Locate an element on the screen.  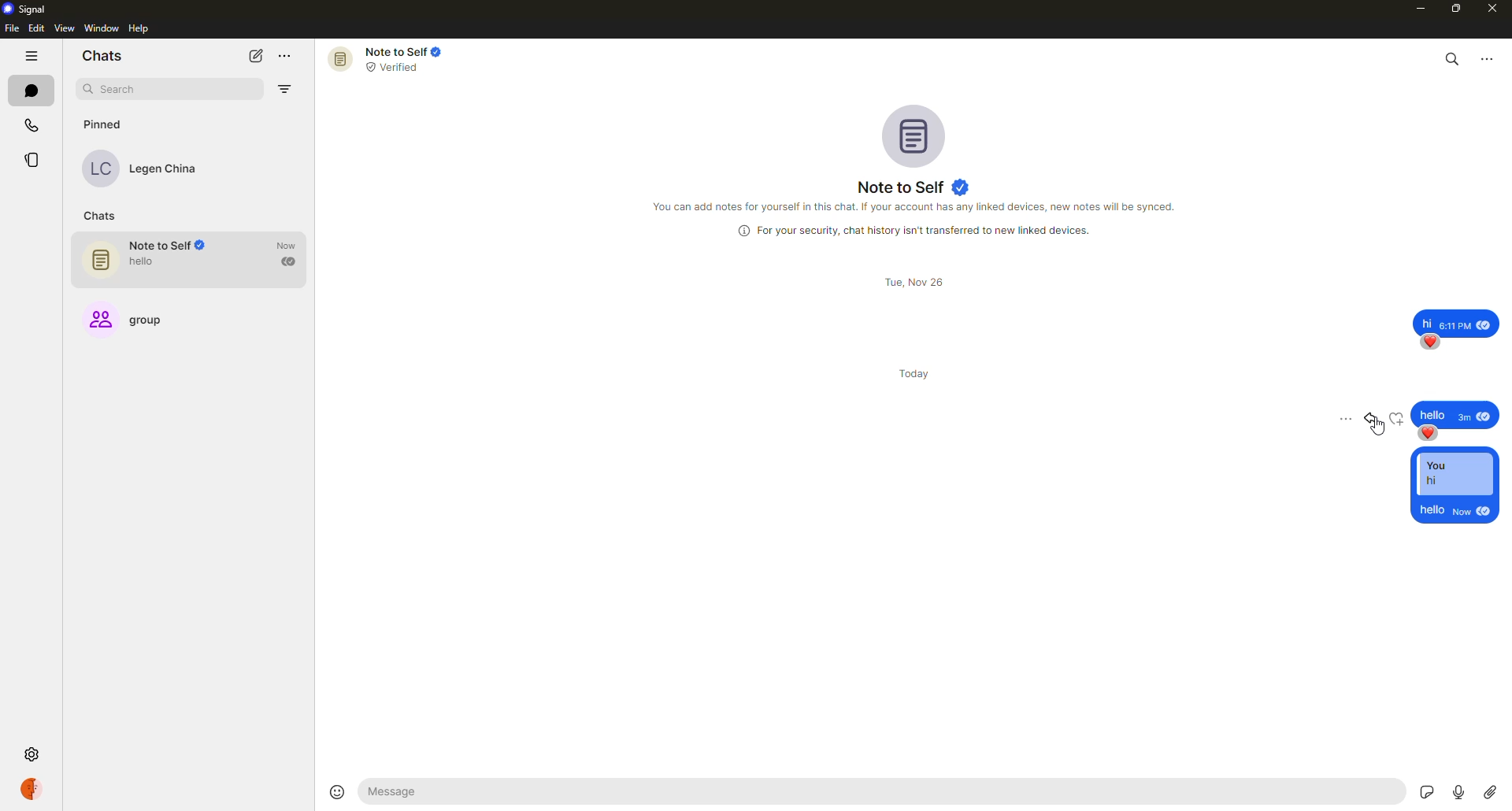
more is located at coordinates (1488, 58).